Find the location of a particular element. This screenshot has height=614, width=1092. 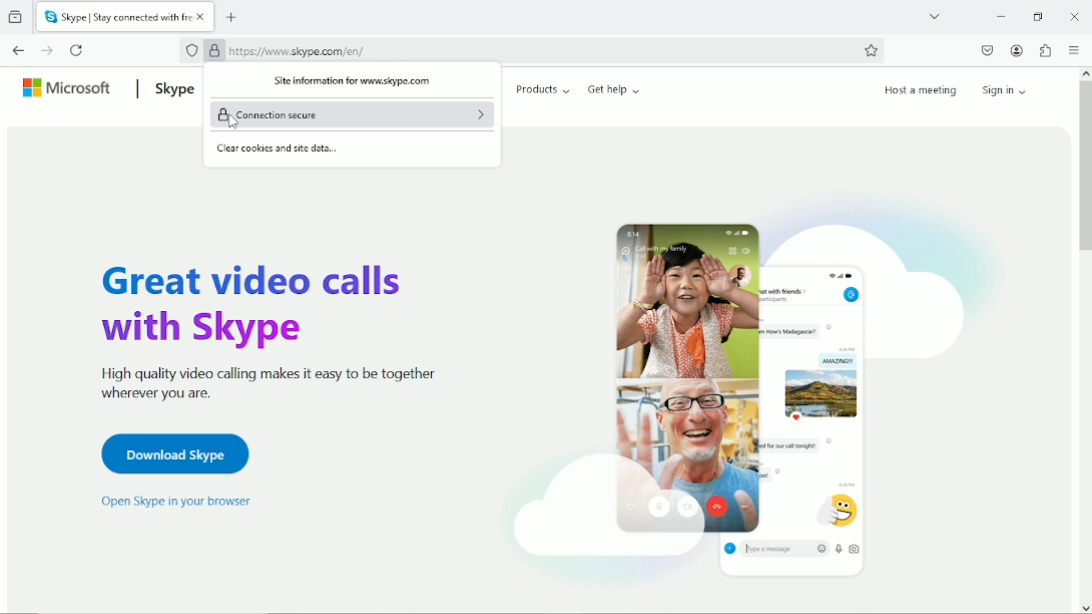

Get help is located at coordinates (614, 89).